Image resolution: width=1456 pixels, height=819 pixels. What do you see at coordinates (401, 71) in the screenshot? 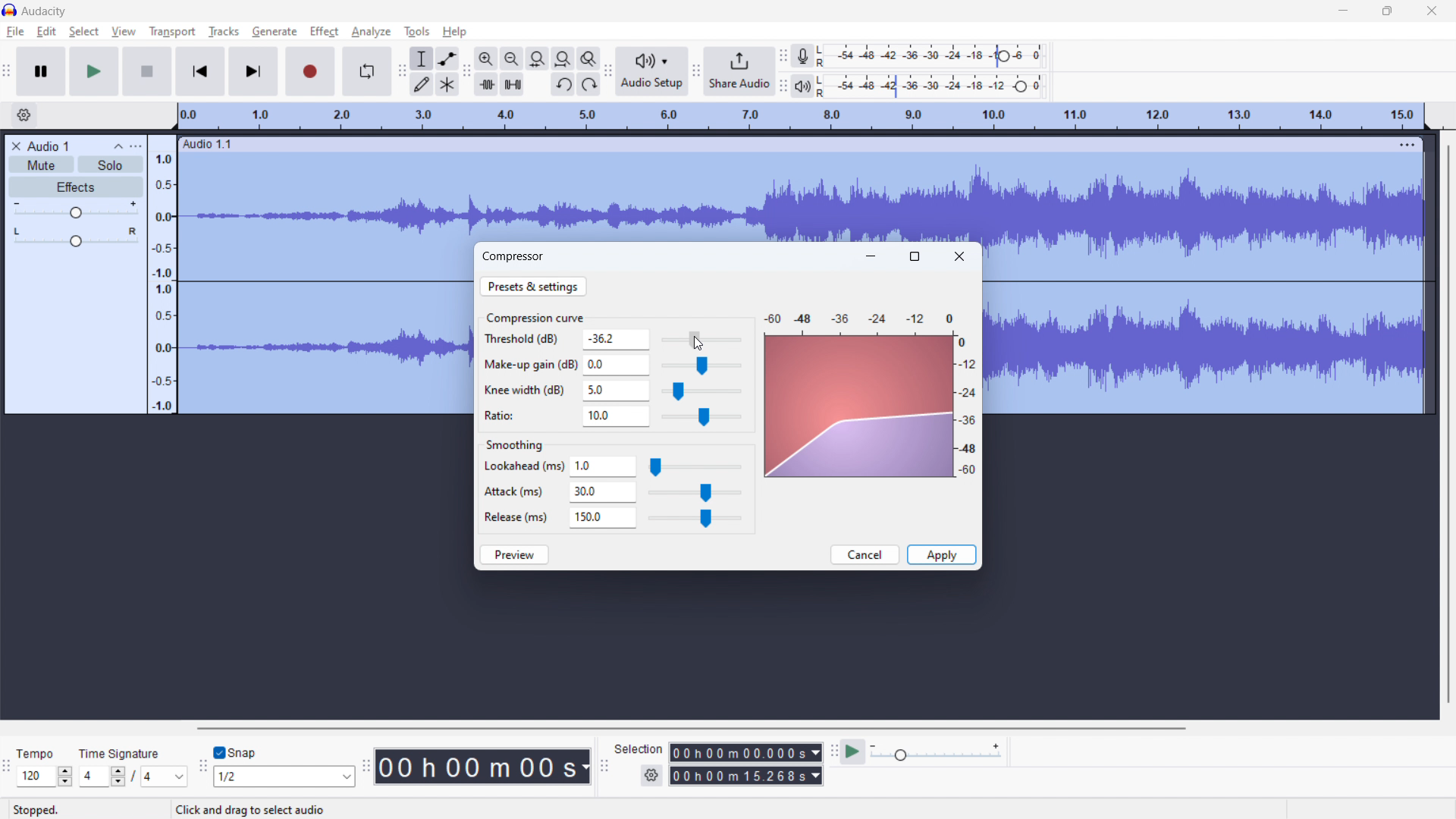
I see `` at bounding box center [401, 71].